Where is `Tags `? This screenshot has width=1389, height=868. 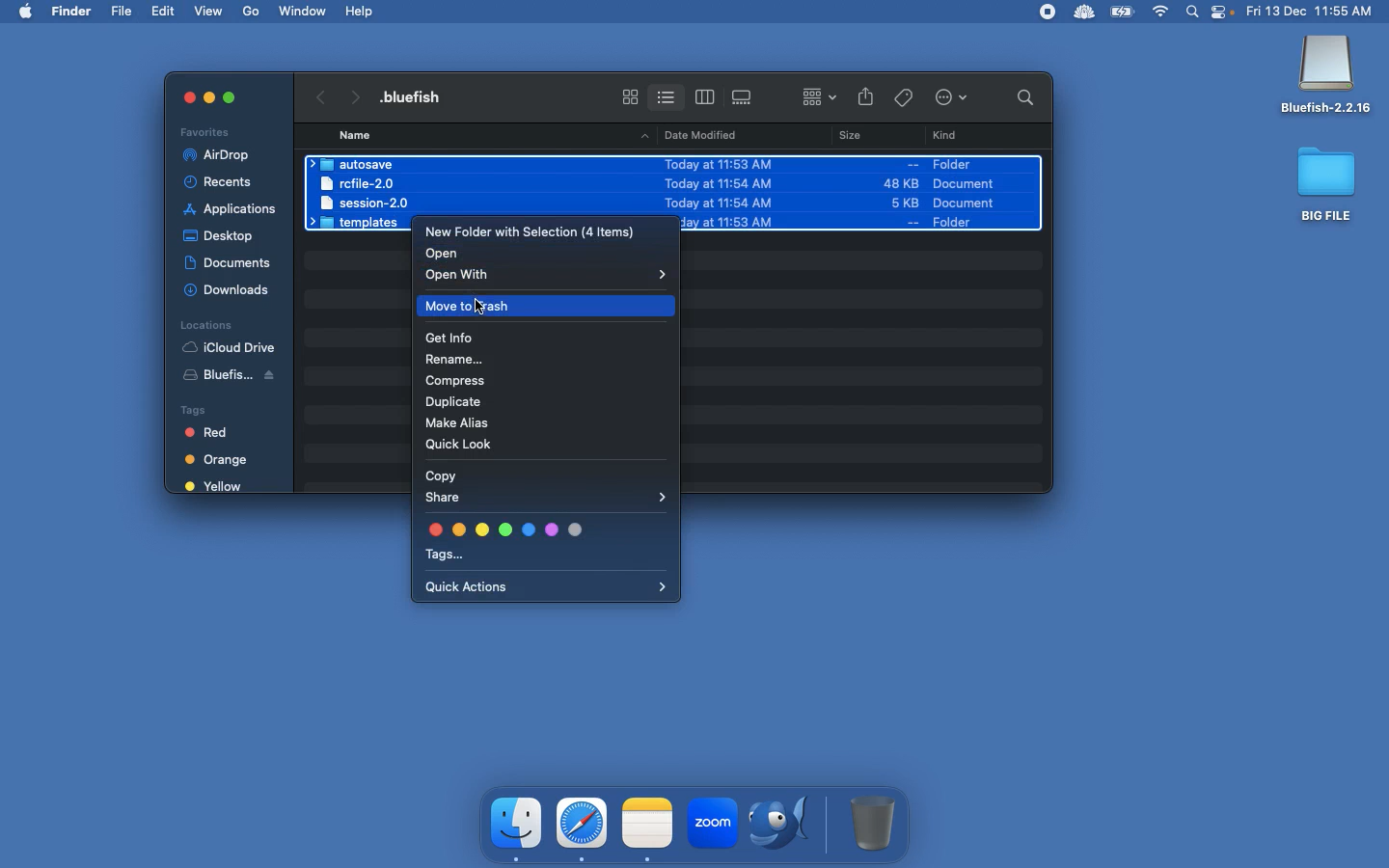
Tags  is located at coordinates (544, 542).